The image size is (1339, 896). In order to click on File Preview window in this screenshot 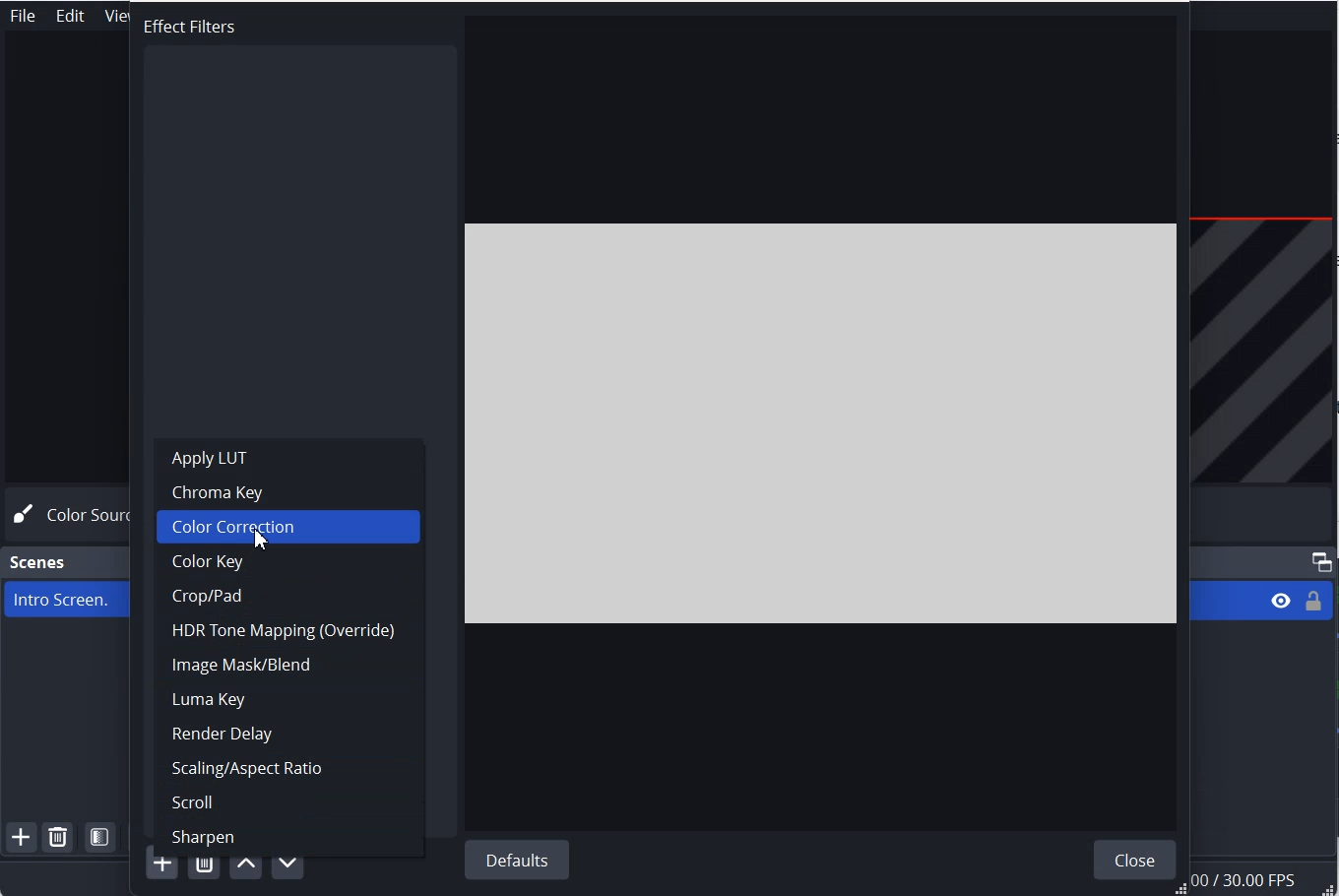, I will do `click(823, 422)`.